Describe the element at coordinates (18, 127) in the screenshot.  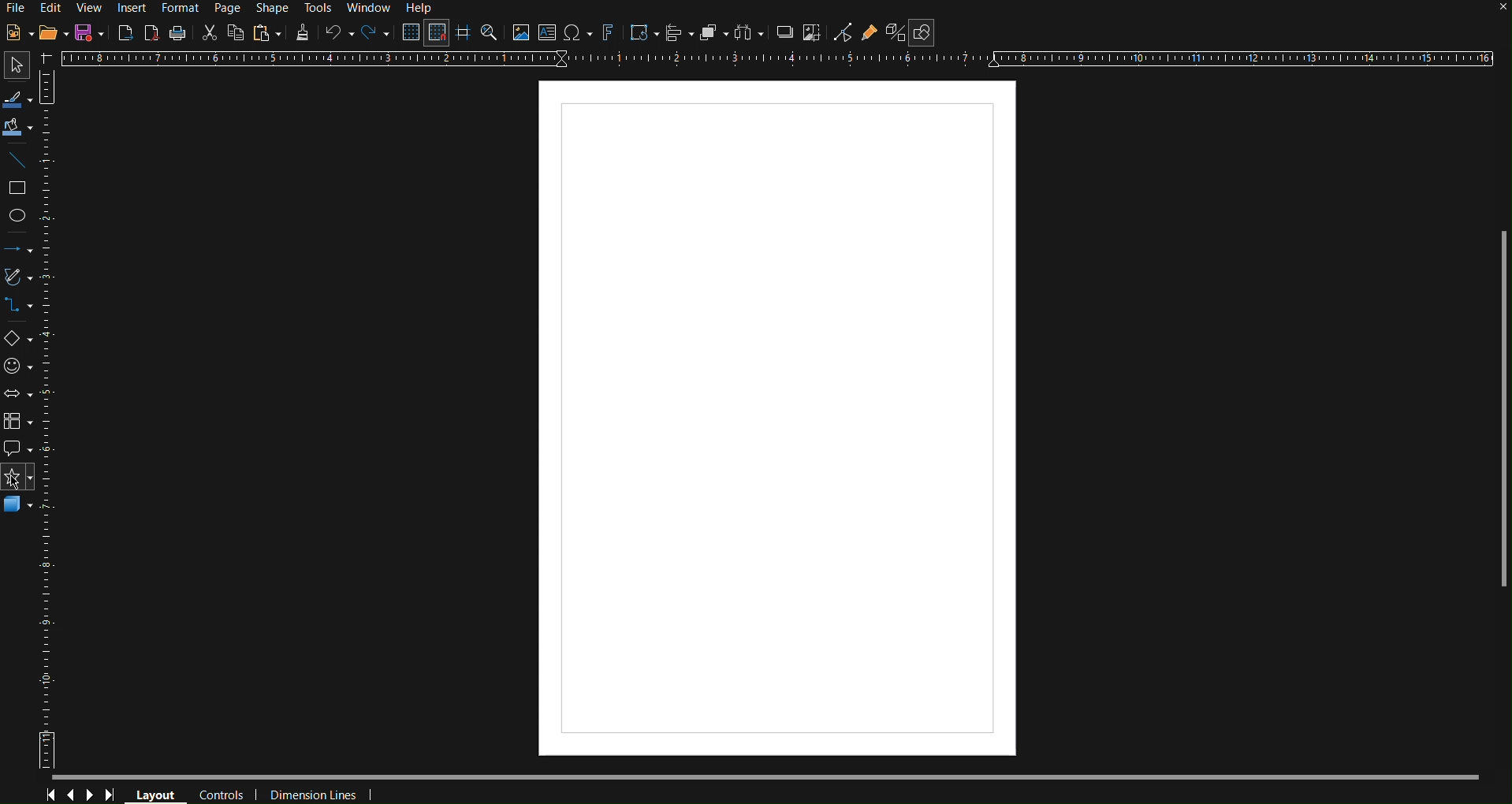
I see `Fill Color` at that location.